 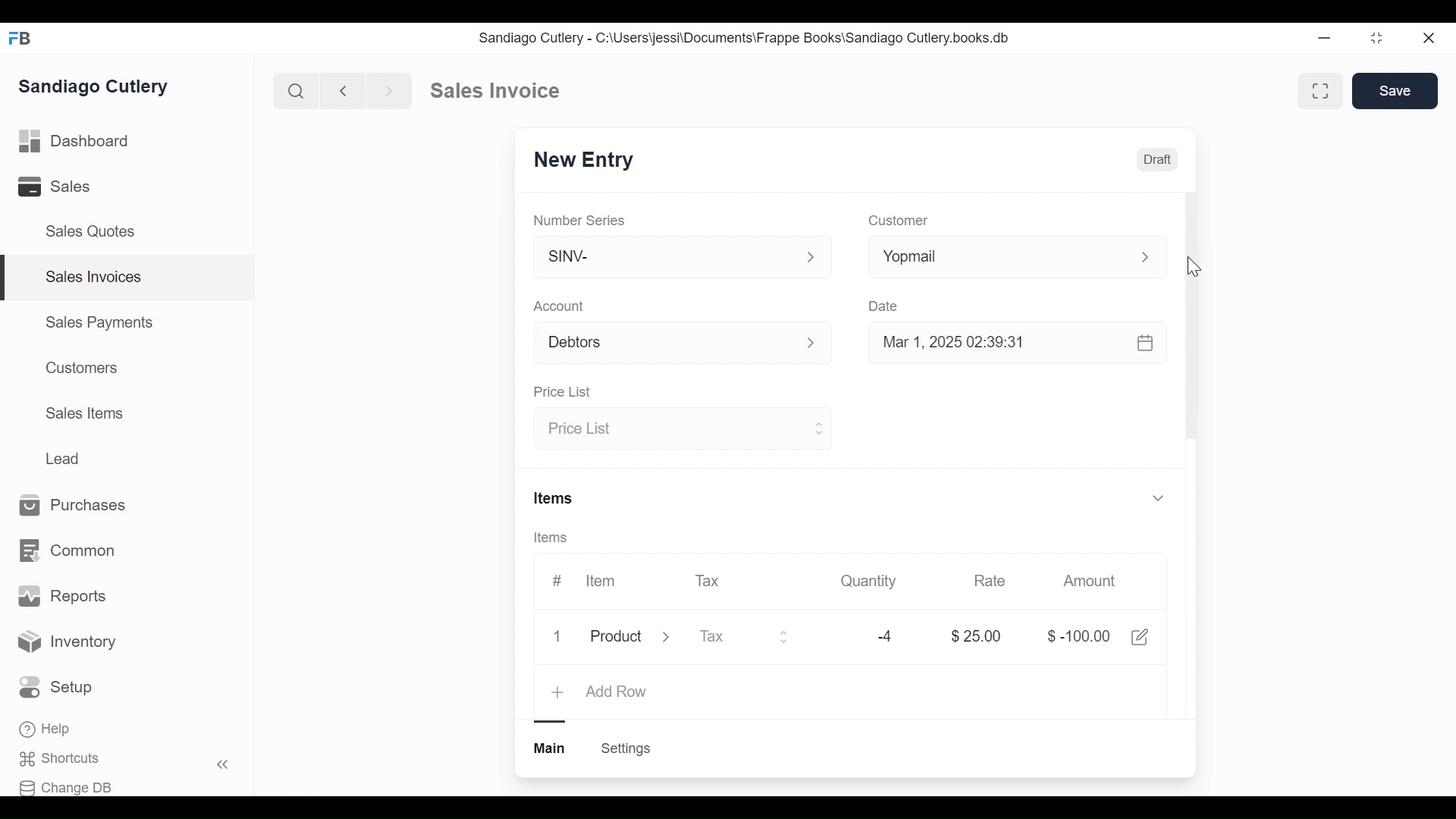 What do you see at coordinates (1323, 38) in the screenshot?
I see `Minimize` at bounding box center [1323, 38].